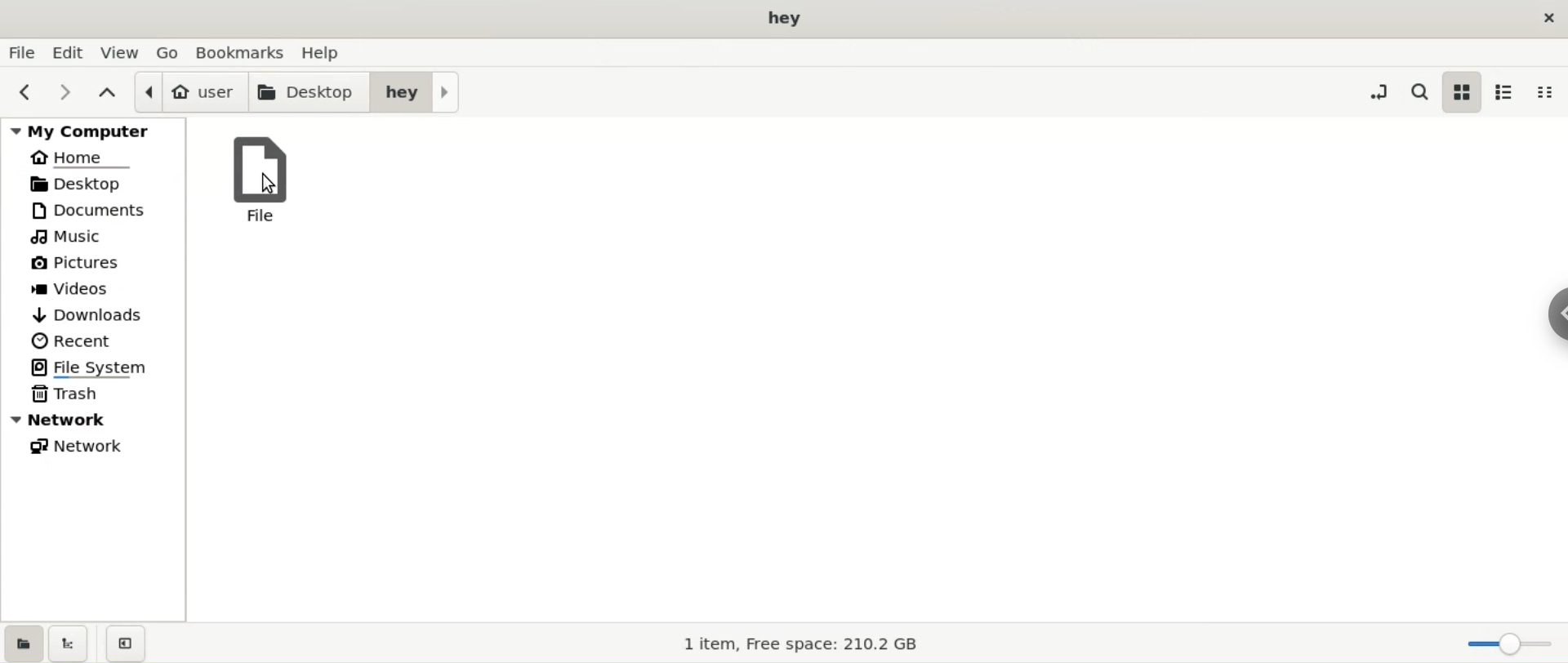 Image resolution: width=1568 pixels, height=663 pixels. Describe the element at coordinates (93, 210) in the screenshot. I see `documents` at that location.